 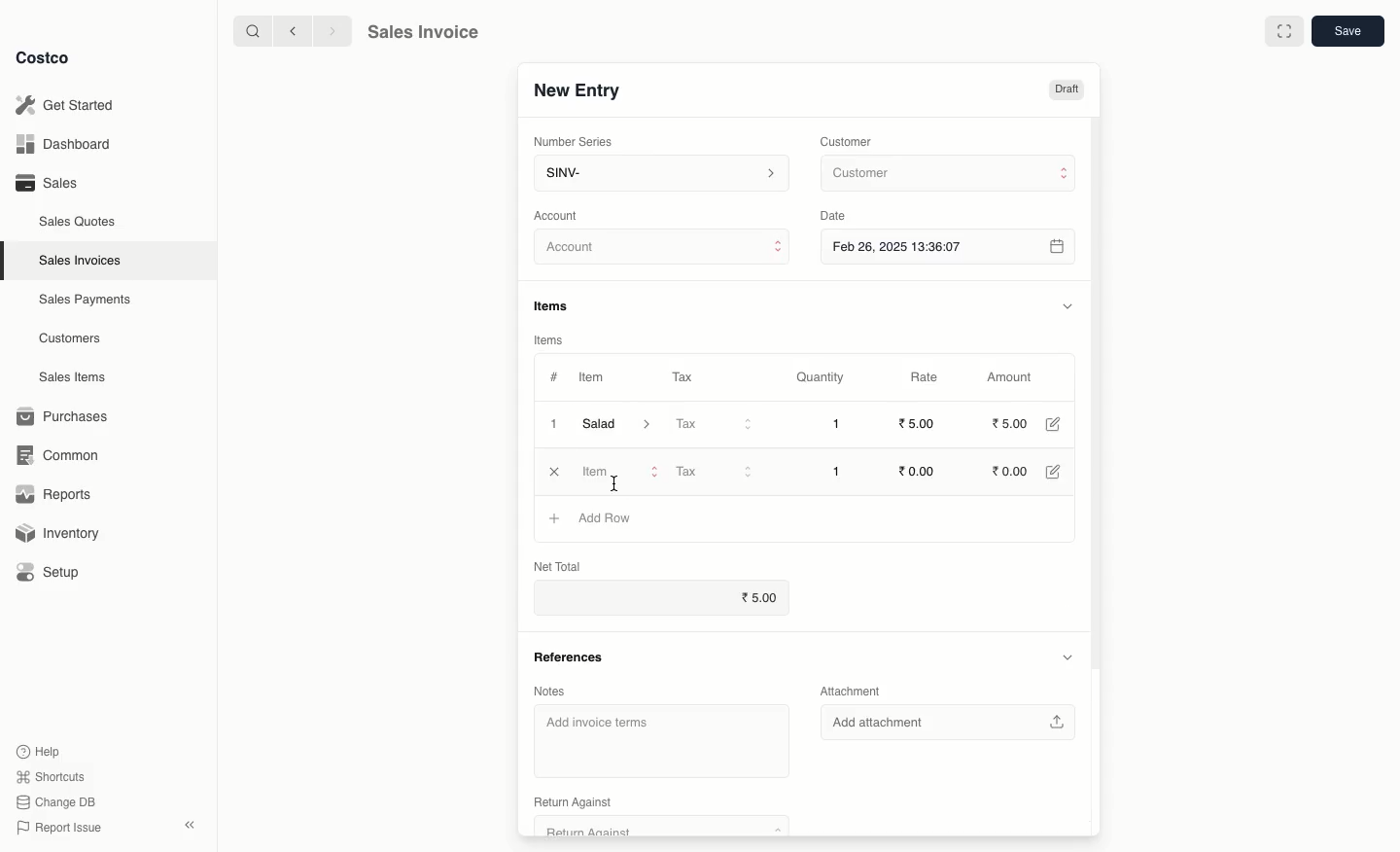 I want to click on Tax, so click(x=713, y=470).